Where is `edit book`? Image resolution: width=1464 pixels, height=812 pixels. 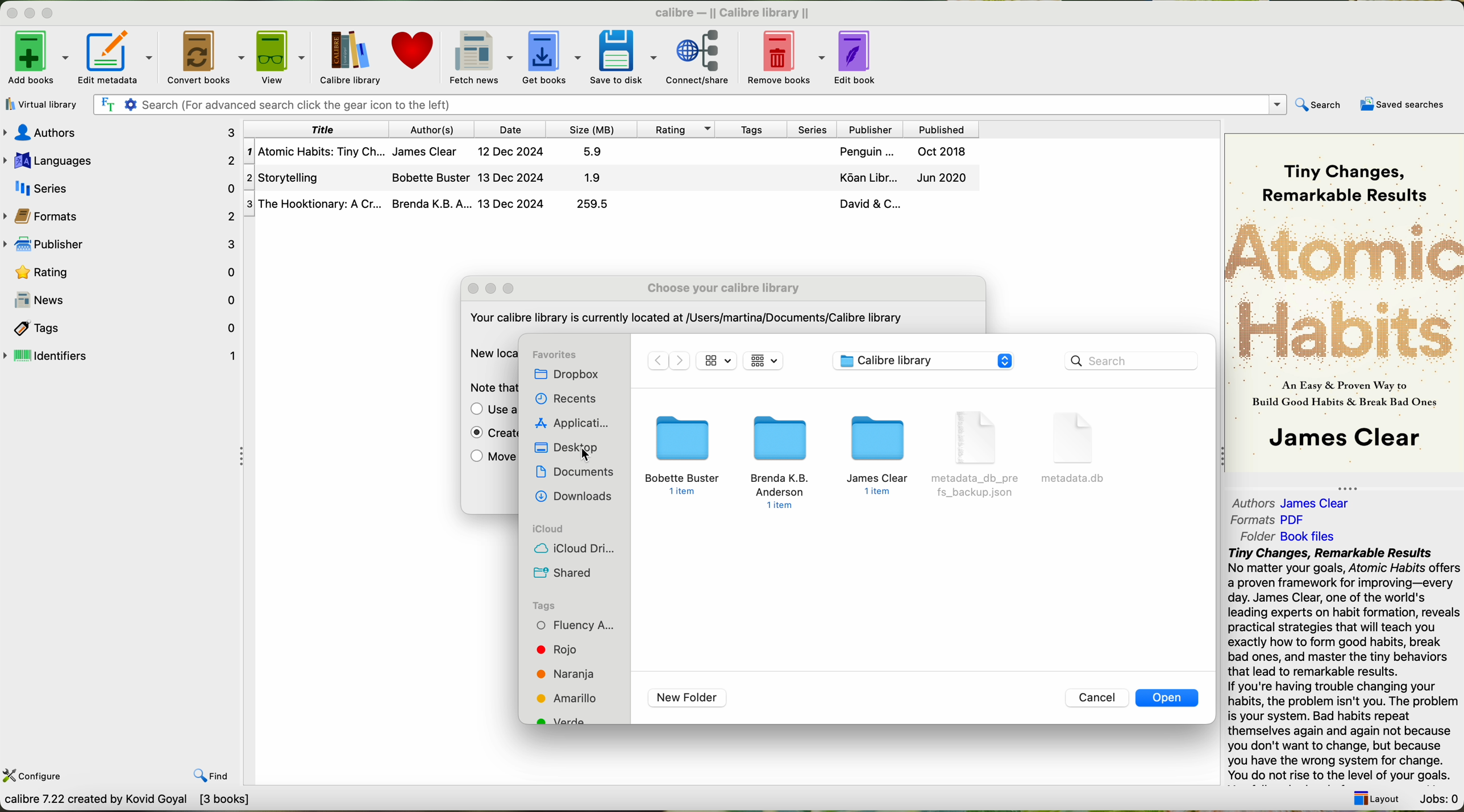
edit book is located at coordinates (860, 55).